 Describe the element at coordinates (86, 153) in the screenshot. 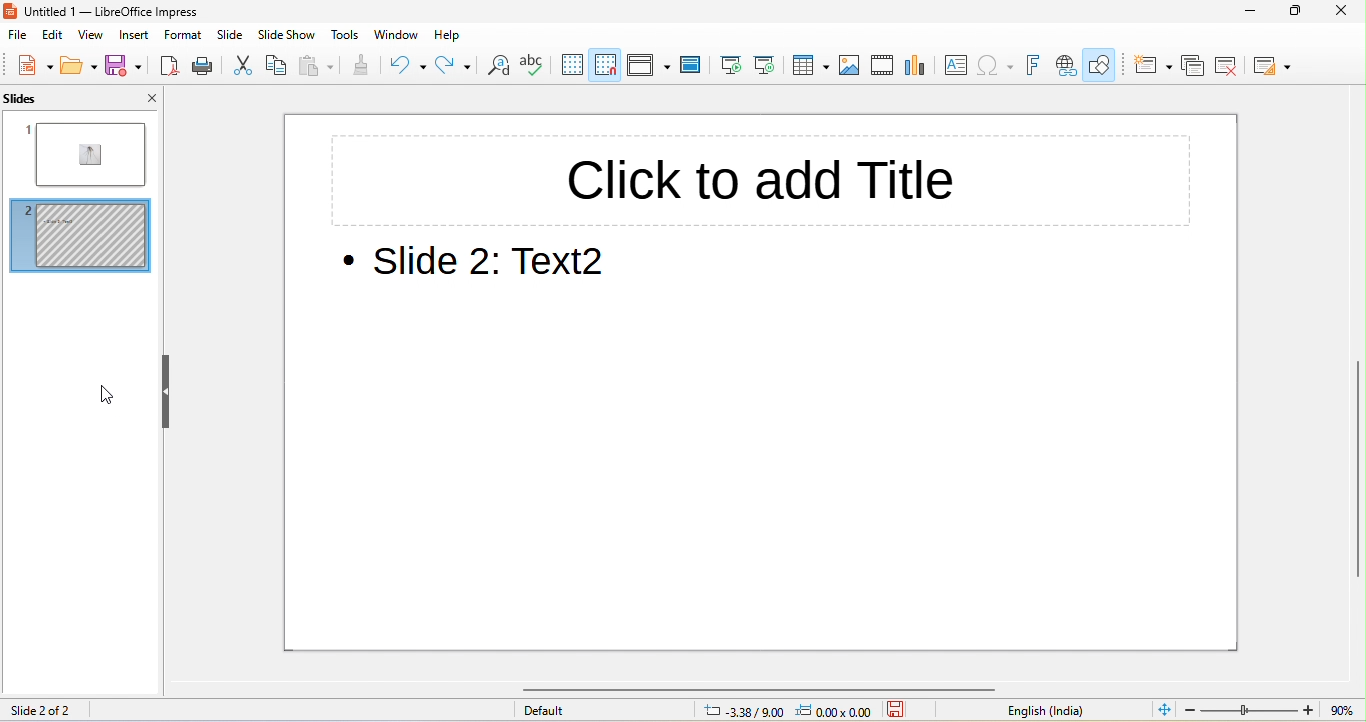

I see `slide 1` at that location.